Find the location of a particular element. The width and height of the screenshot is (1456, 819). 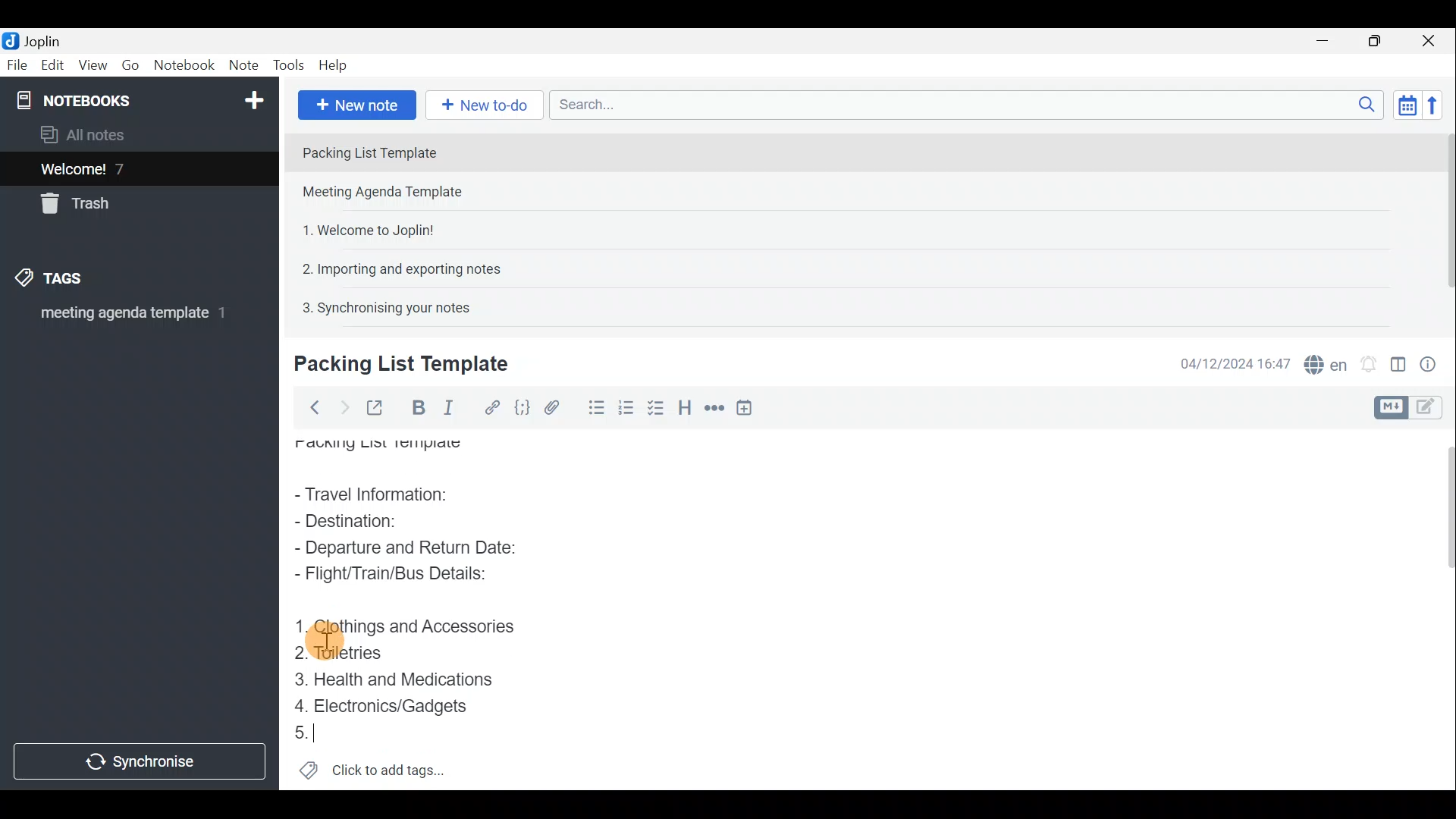

Health and Medications is located at coordinates (397, 677).